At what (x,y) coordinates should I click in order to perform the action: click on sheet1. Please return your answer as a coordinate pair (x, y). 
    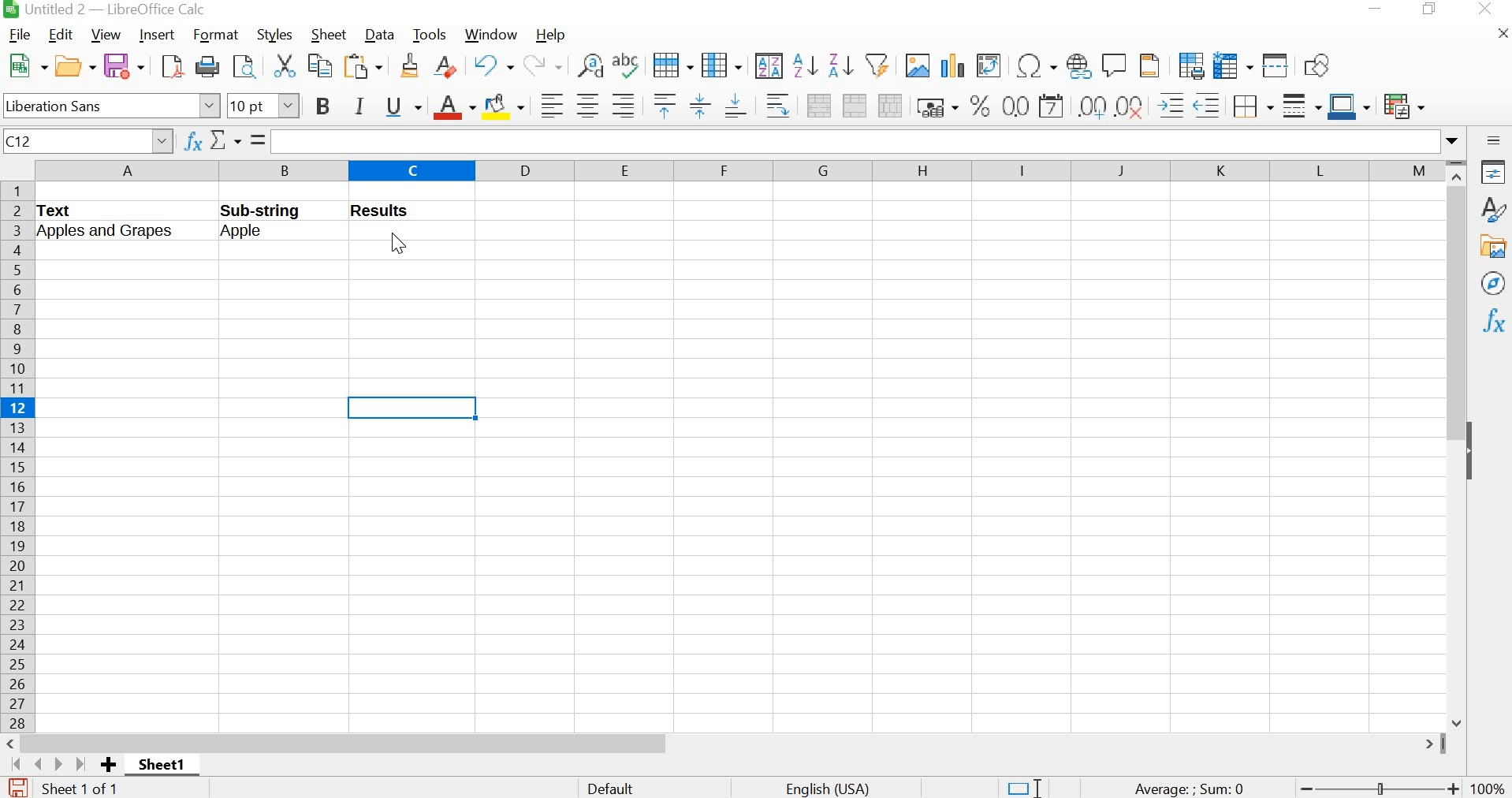
    Looking at the image, I should click on (161, 766).